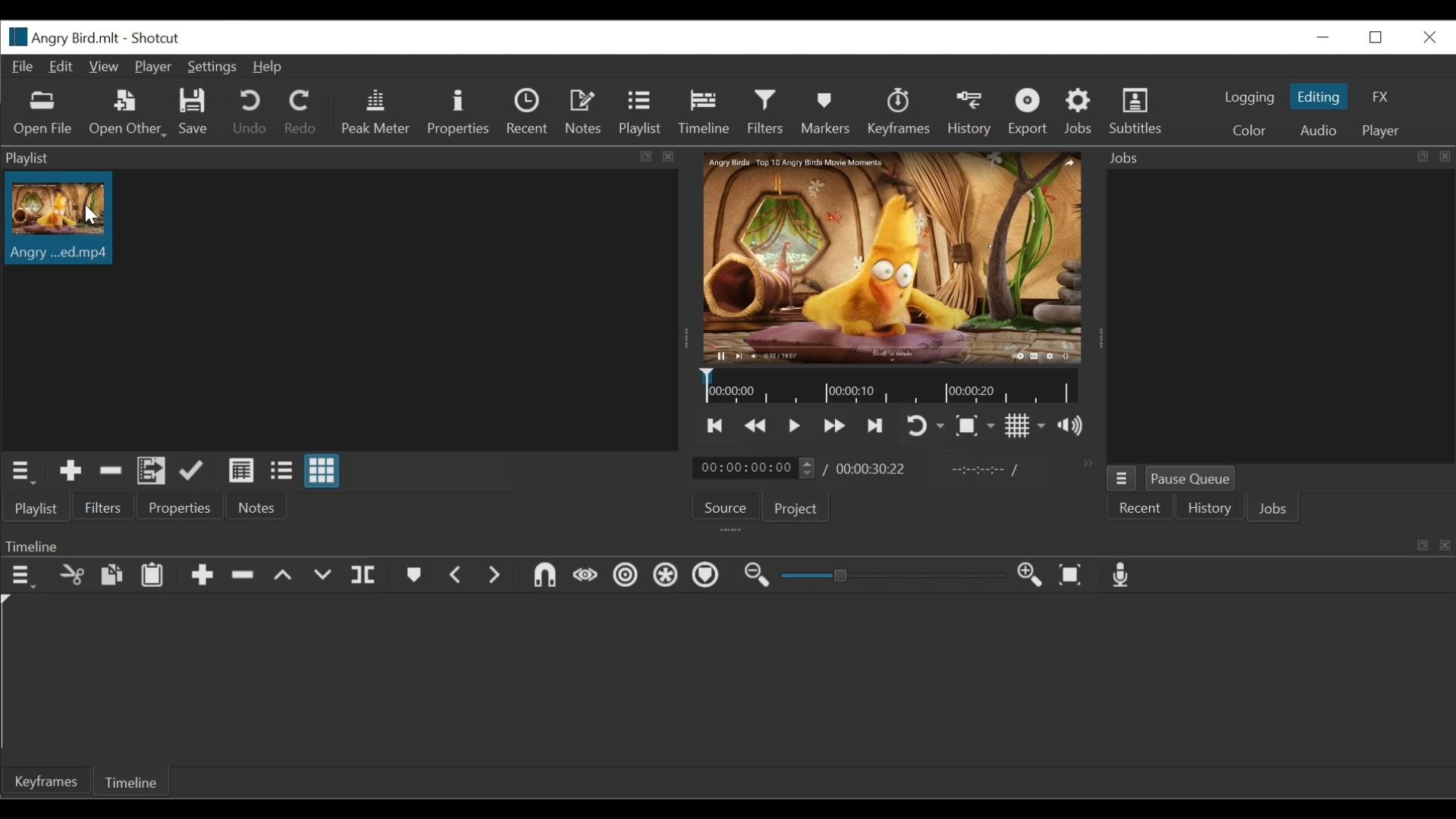 The width and height of the screenshot is (1456, 819). I want to click on Jobs, so click(1276, 510).